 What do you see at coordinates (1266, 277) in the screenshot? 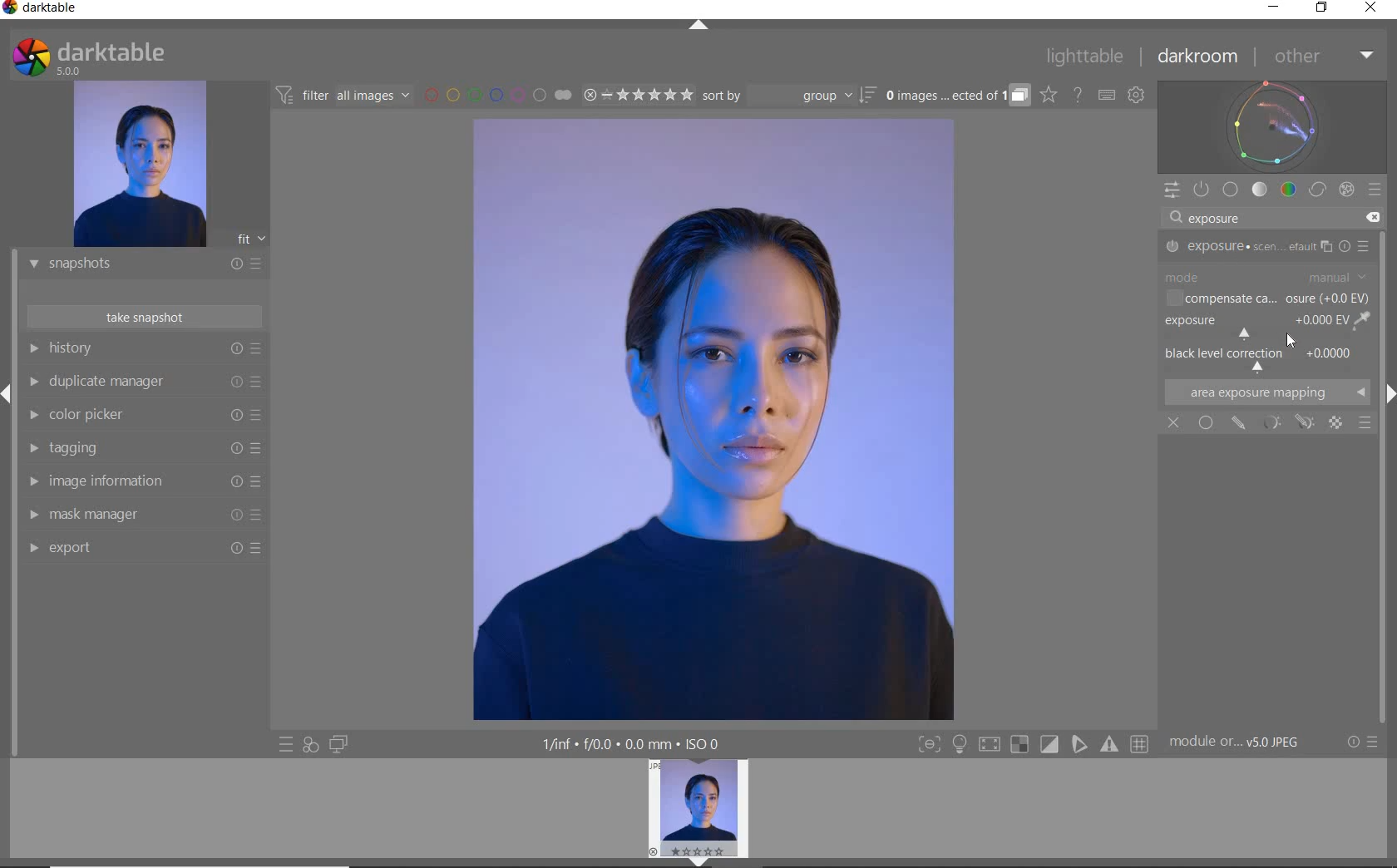
I see `MODE` at bounding box center [1266, 277].